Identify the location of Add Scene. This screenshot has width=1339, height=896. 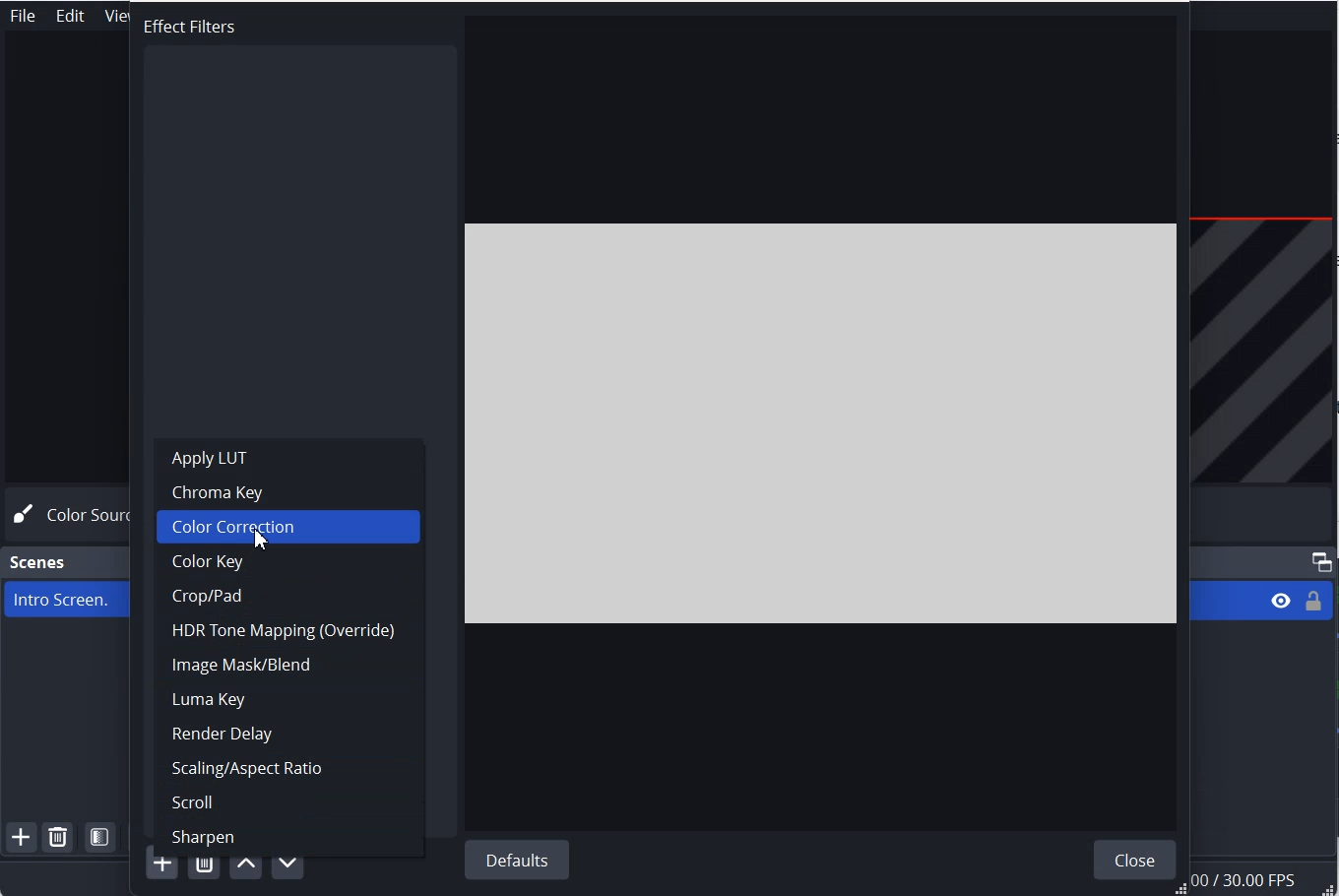
(21, 838).